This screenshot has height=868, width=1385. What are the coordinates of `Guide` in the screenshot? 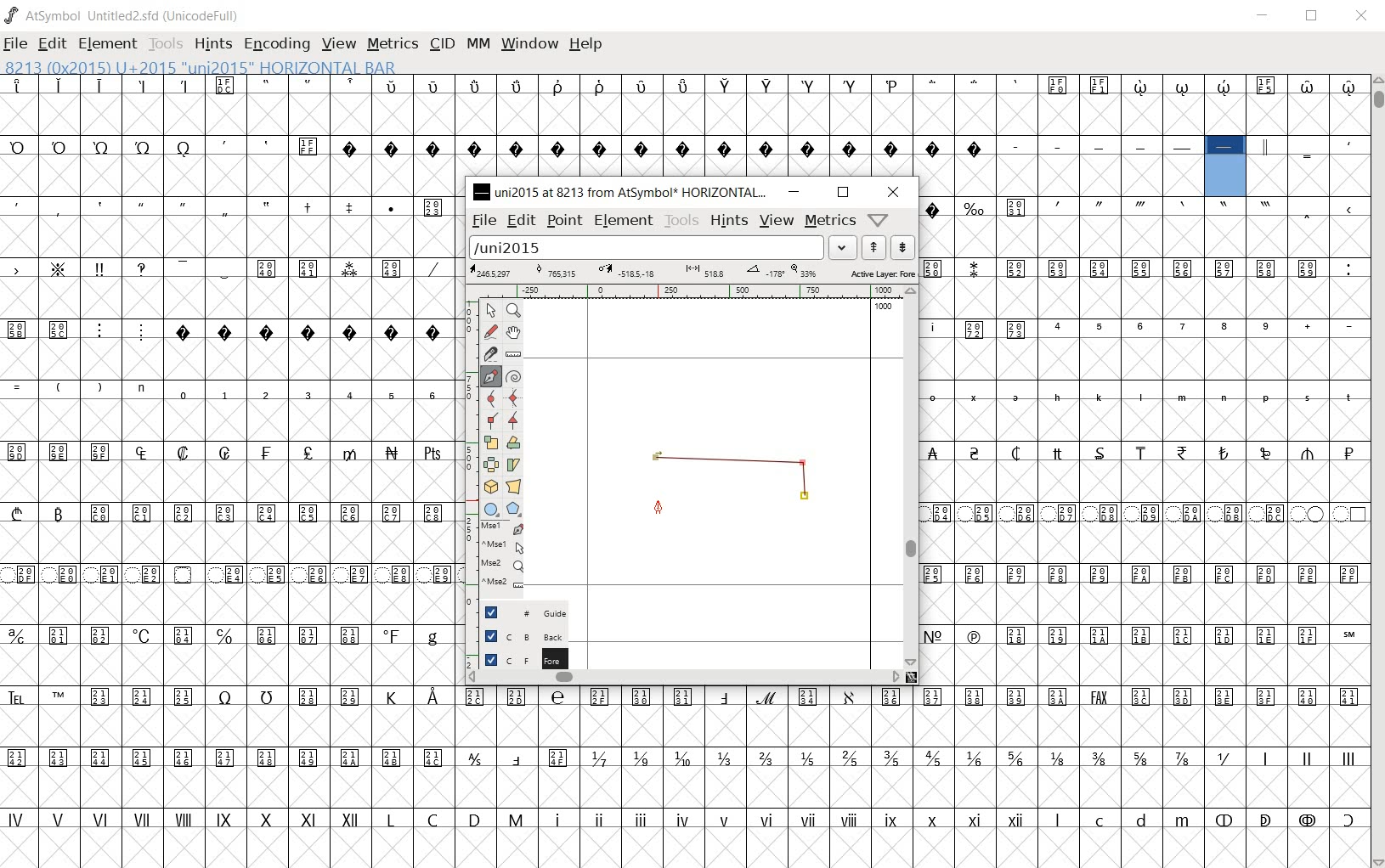 It's located at (515, 612).